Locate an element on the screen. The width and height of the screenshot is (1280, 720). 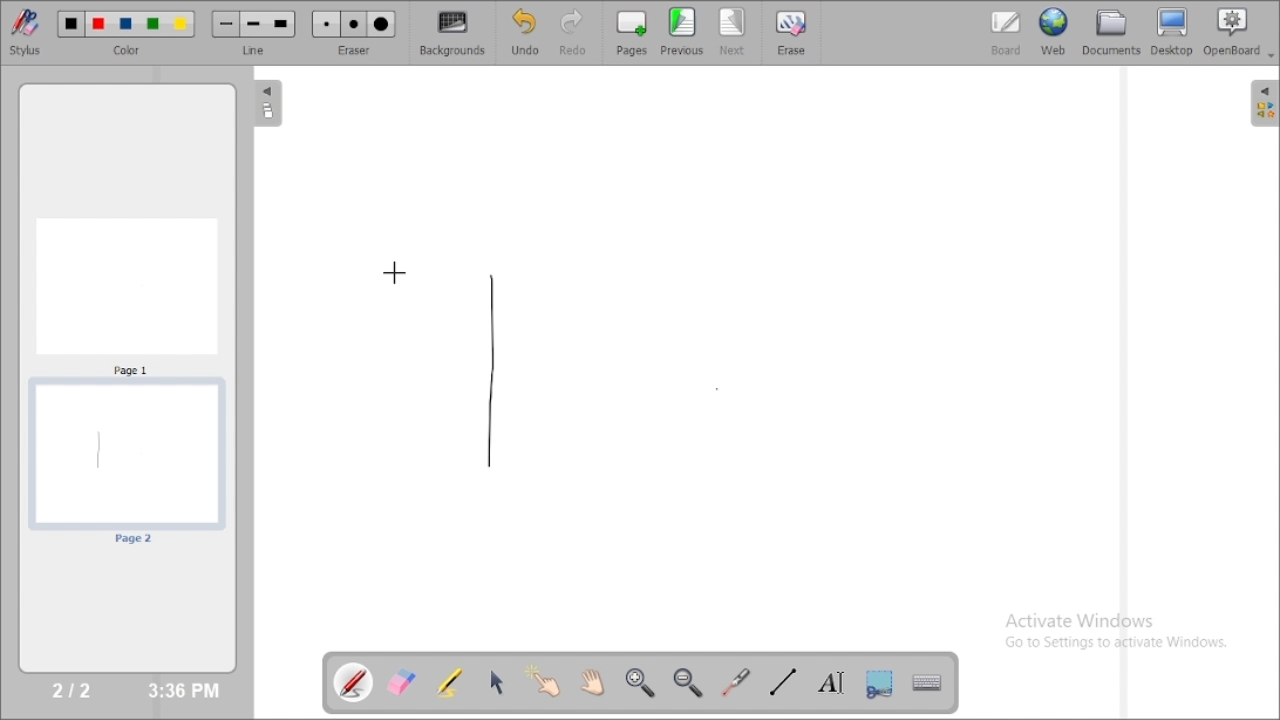
pages is located at coordinates (632, 32).